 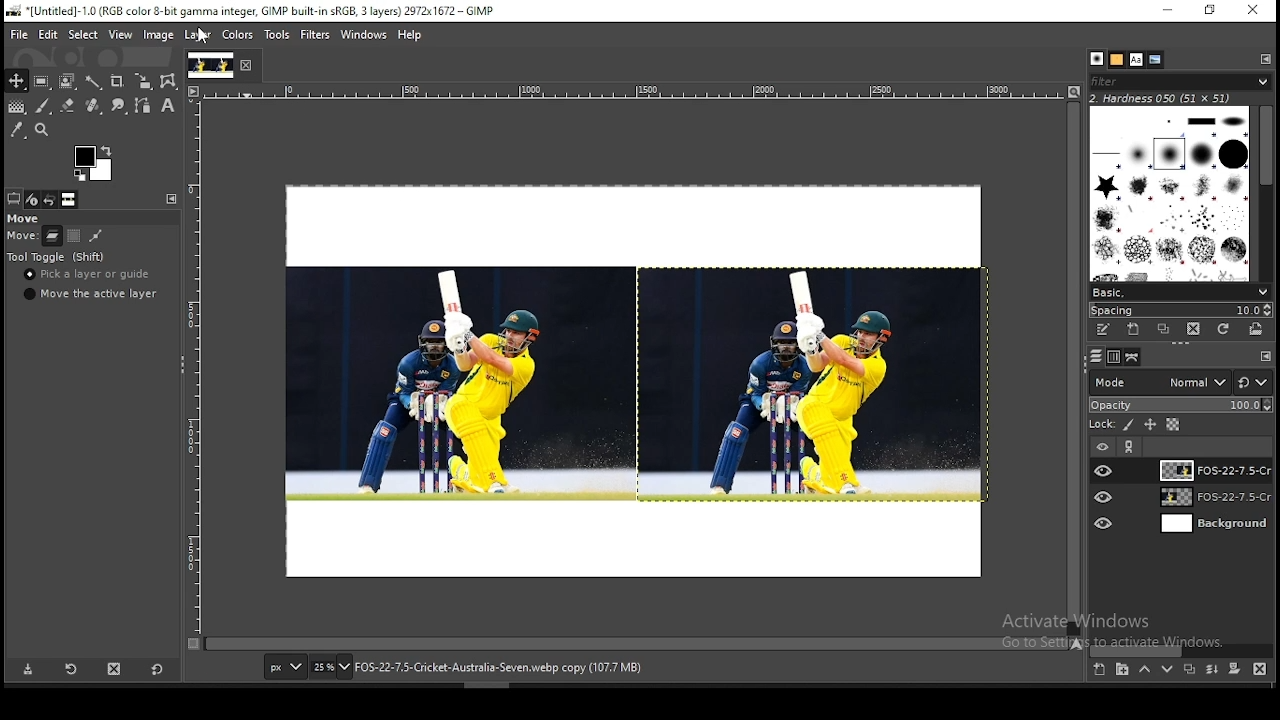 What do you see at coordinates (248, 12) in the screenshot?
I see `icon and file name` at bounding box center [248, 12].